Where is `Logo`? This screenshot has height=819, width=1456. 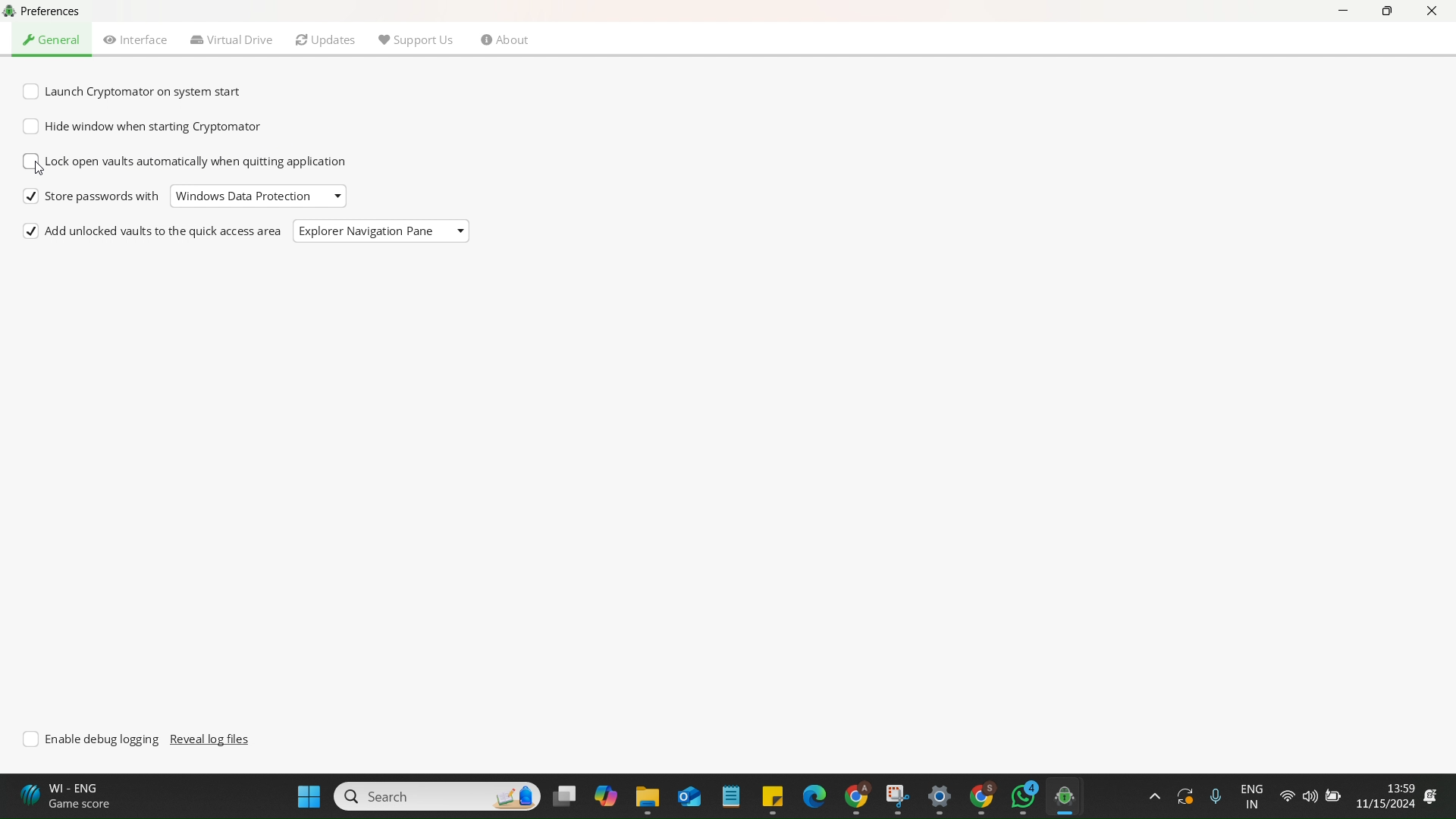 Logo is located at coordinates (11, 12).